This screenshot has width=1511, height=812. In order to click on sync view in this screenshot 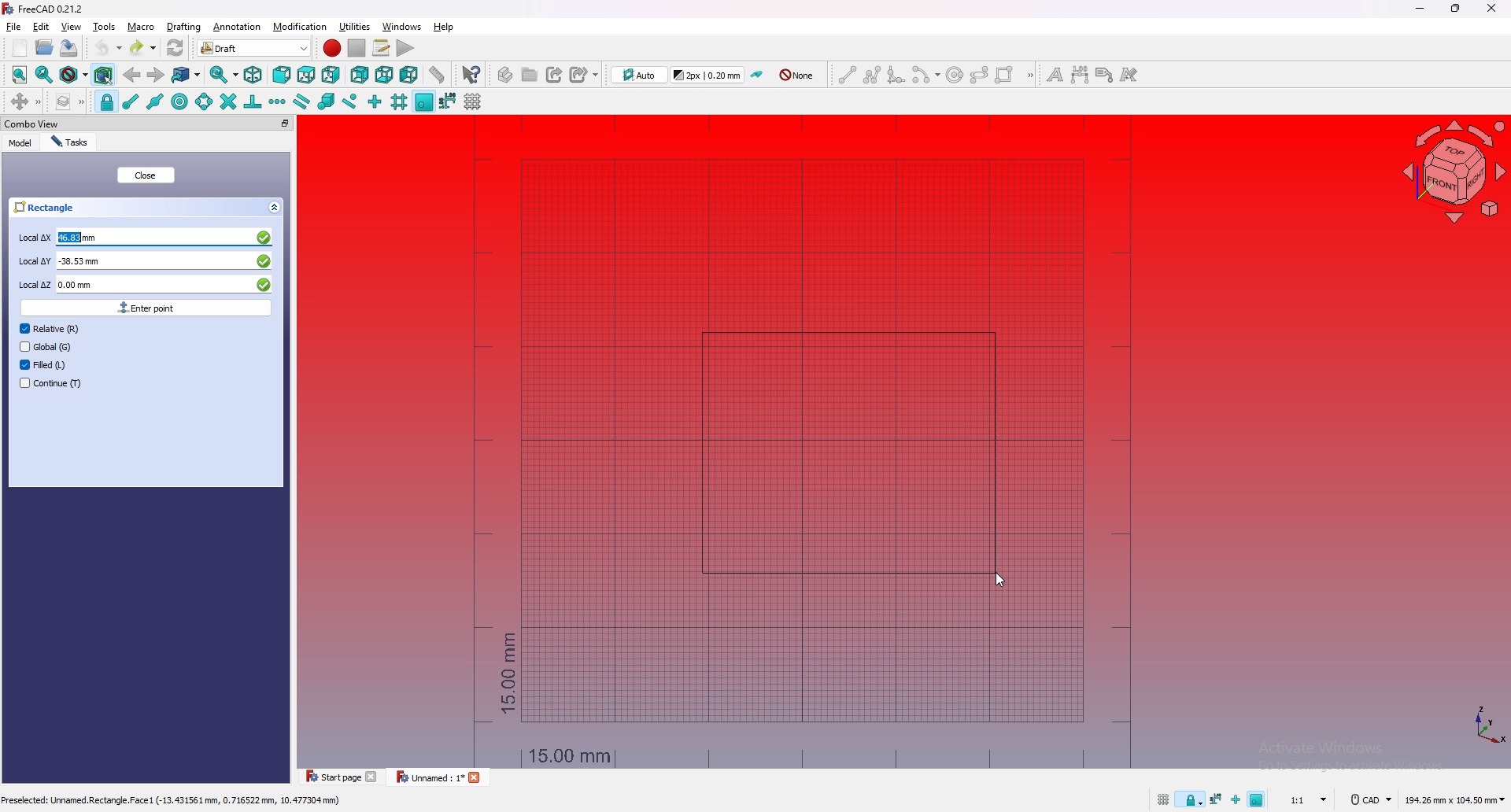, I will do `click(224, 75)`.